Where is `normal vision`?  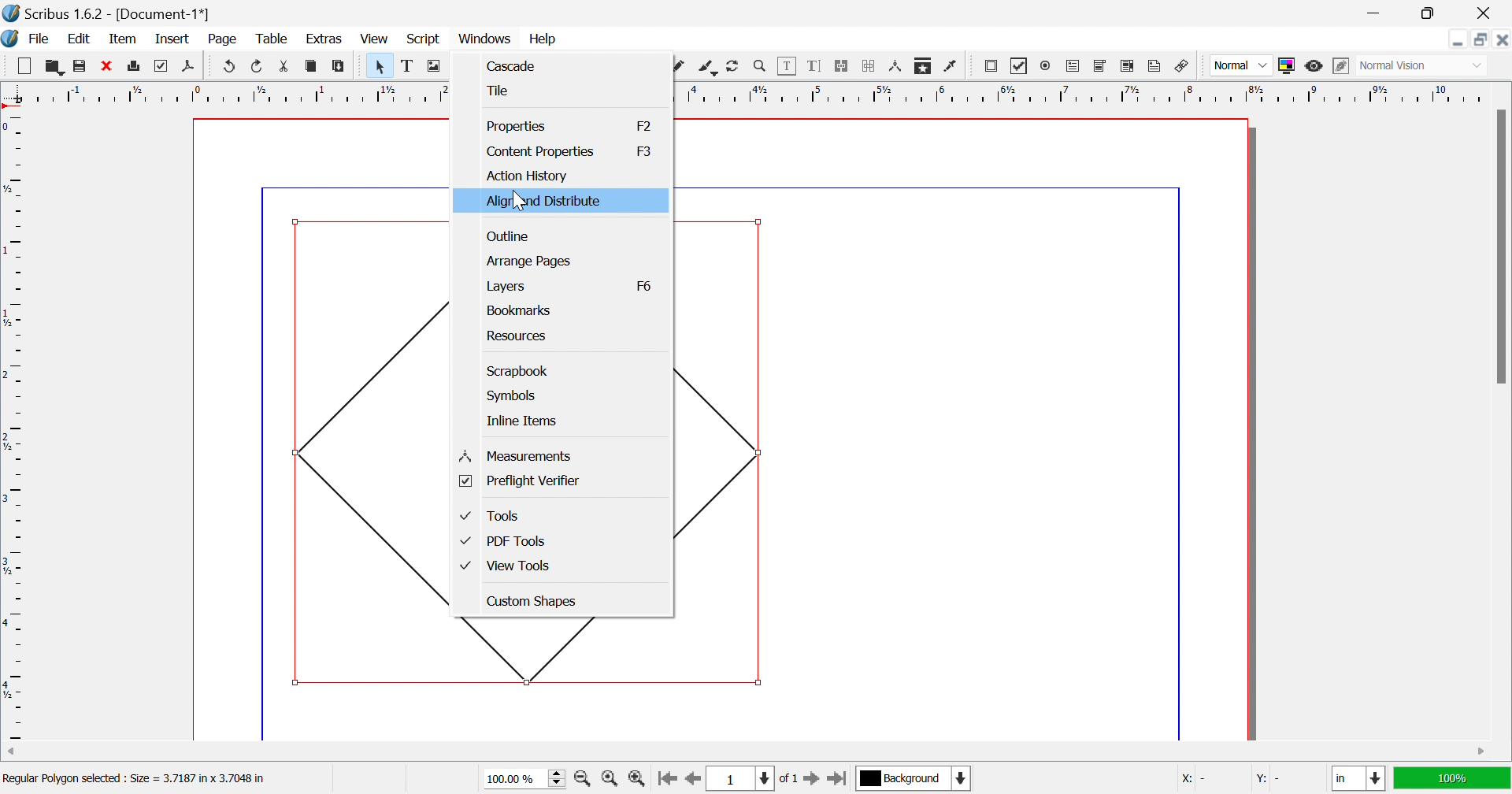 normal vision is located at coordinates (1410, 66).